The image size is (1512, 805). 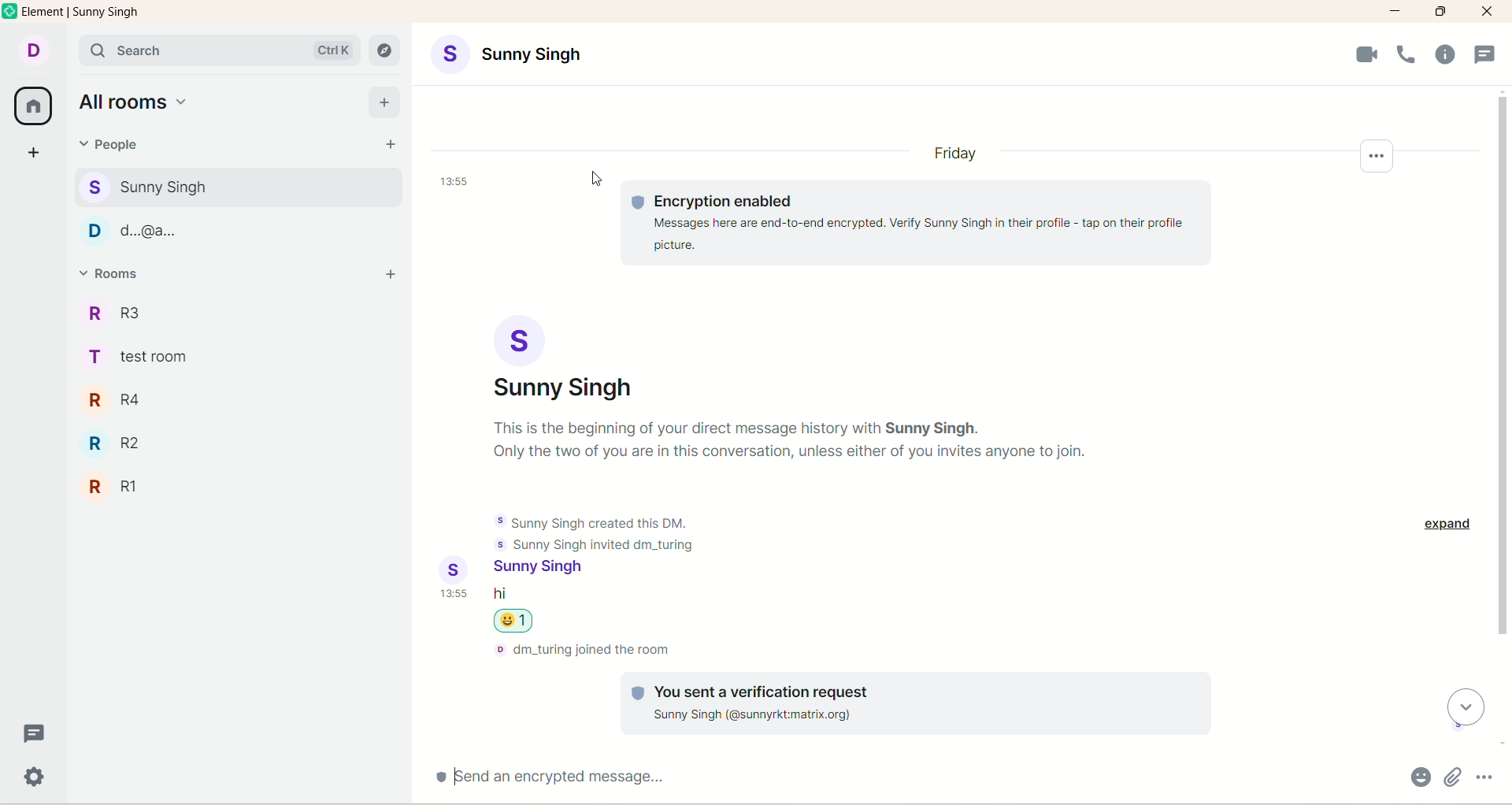 I want to click on Time of last action in chat, so click(x=454, y=181).